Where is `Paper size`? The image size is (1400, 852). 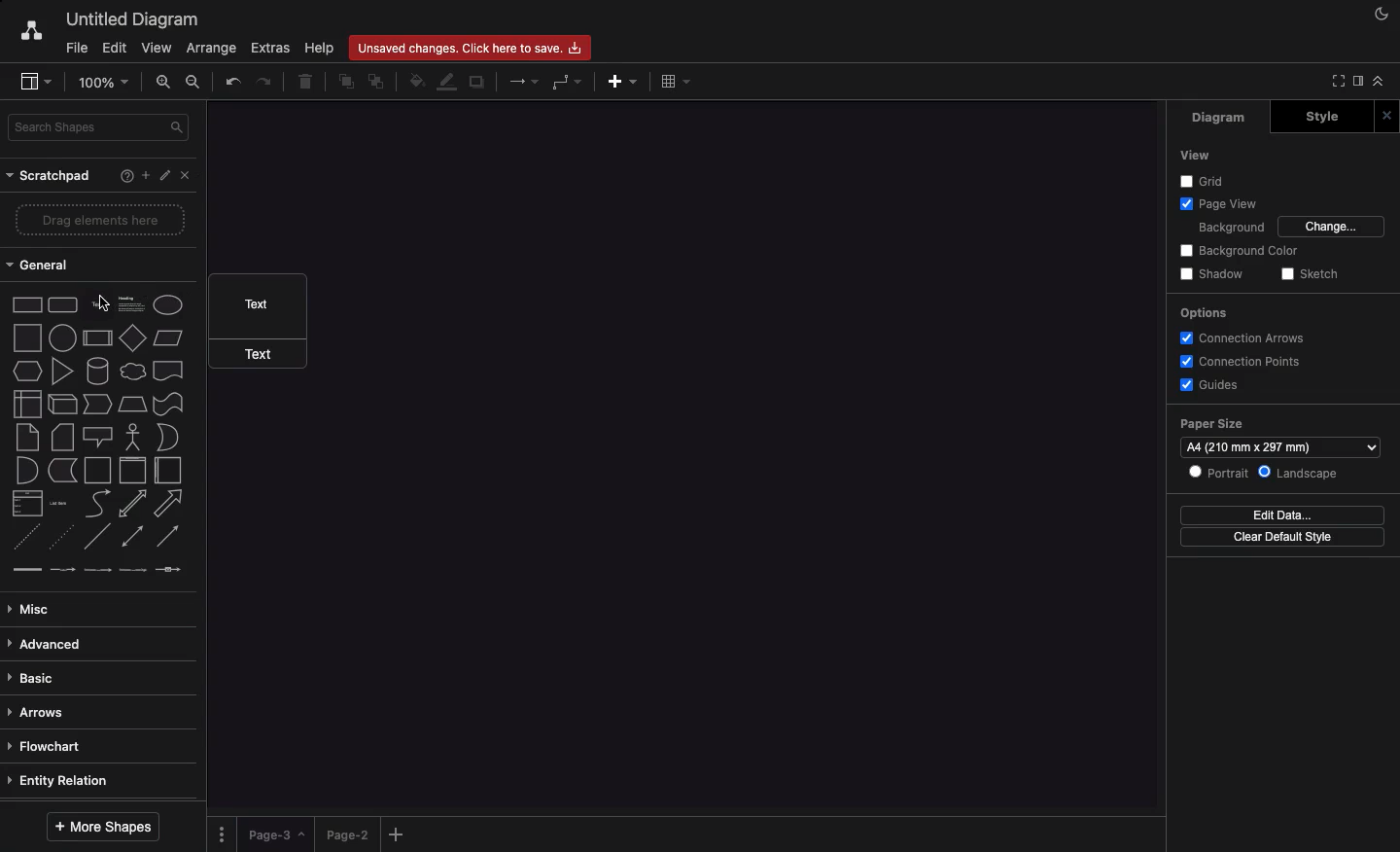 Paper size is located at coordinates (1216, 422).